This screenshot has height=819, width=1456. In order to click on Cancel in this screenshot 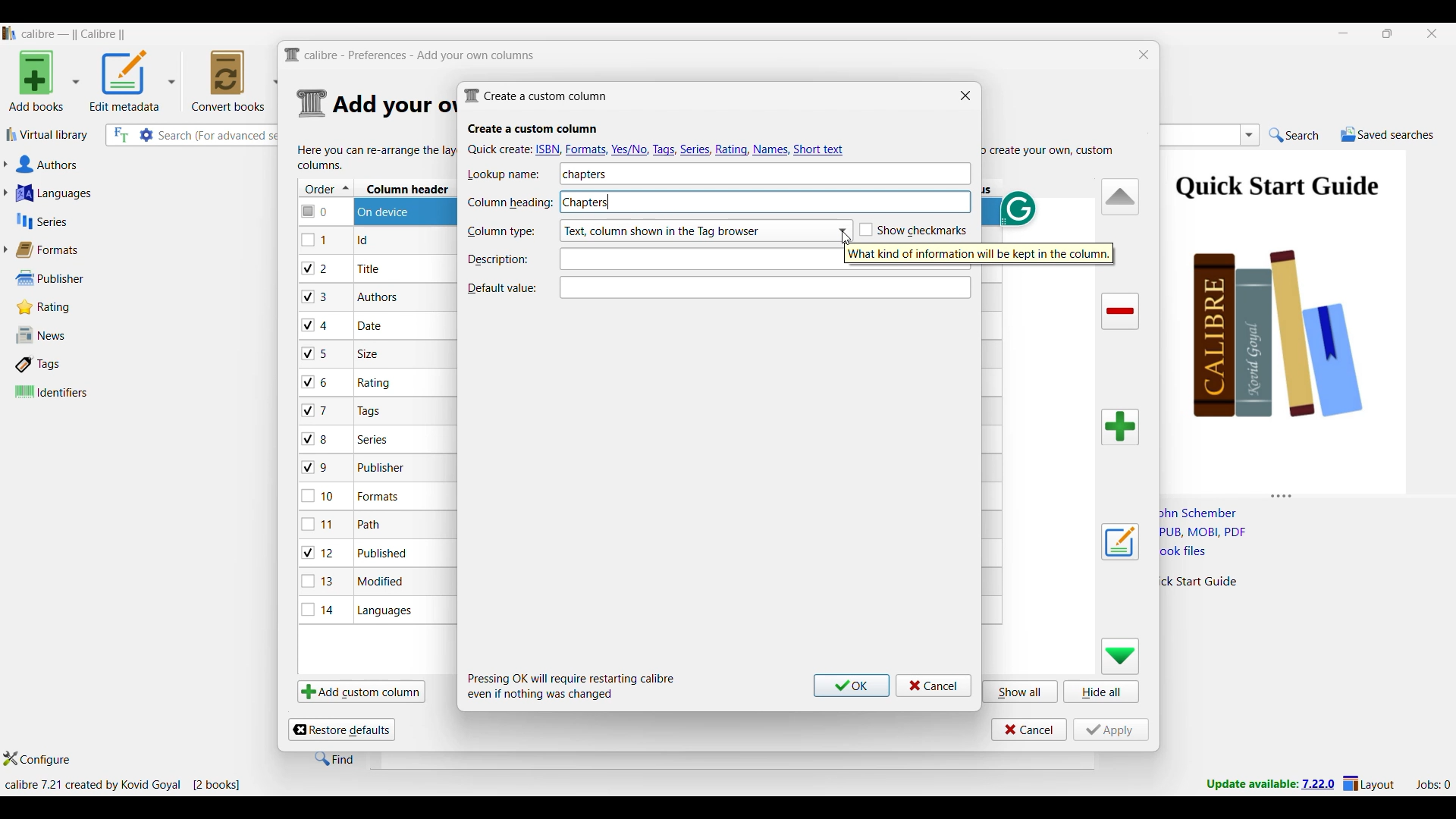, I will do `click(1029, 730)`.